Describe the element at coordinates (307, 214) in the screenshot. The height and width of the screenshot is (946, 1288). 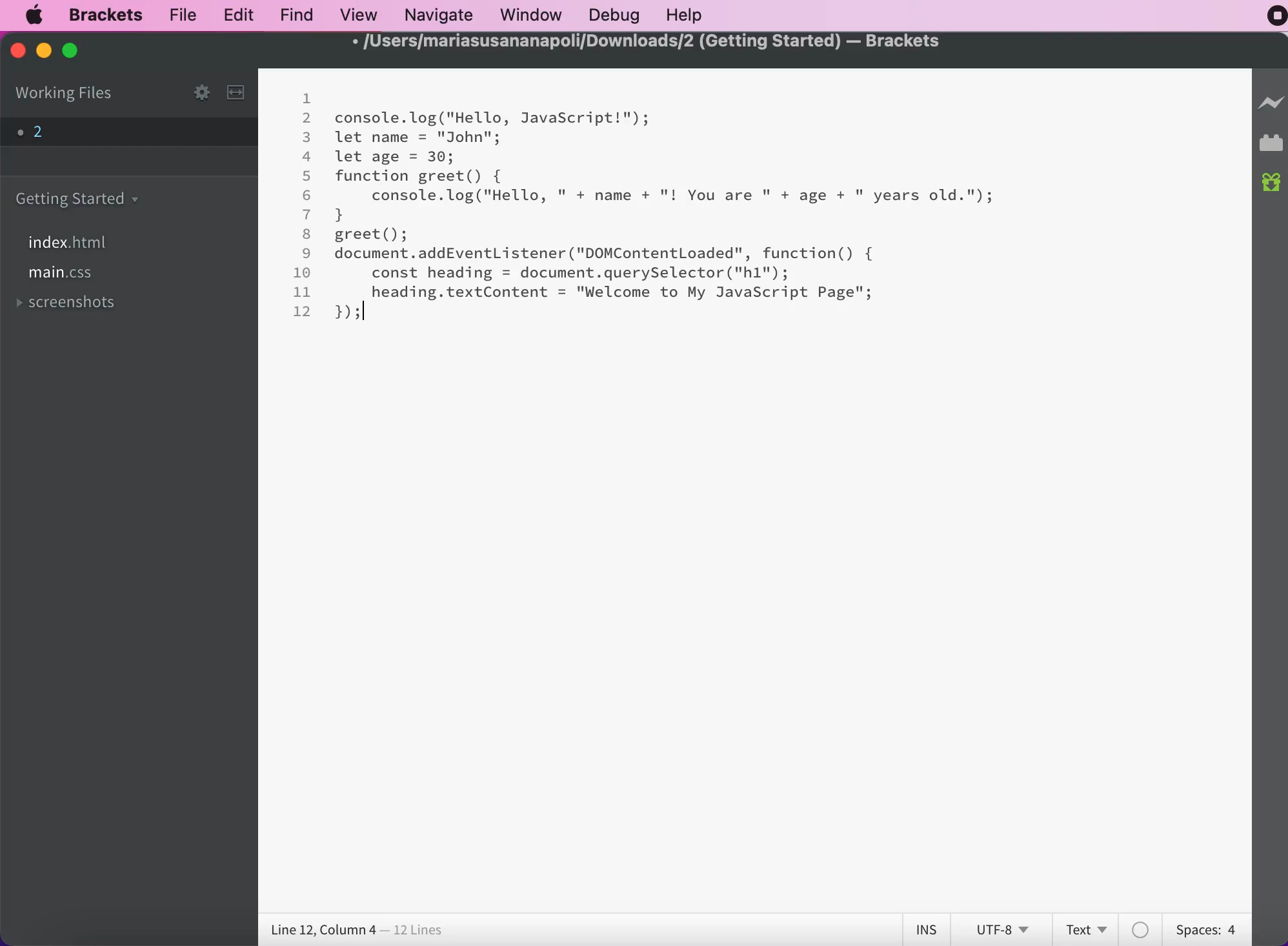
I see `7` at that location.